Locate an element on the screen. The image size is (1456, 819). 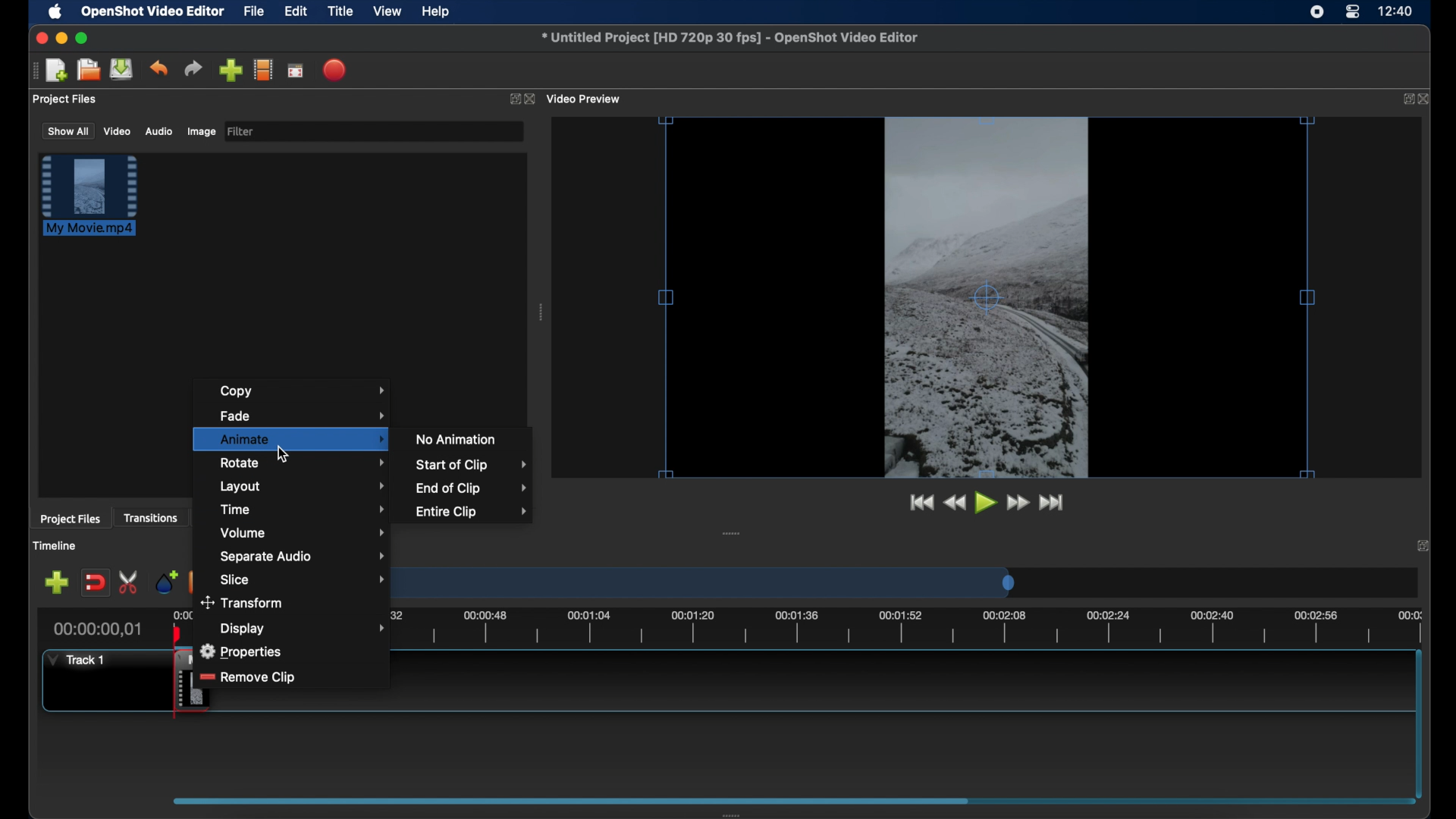
volume menu is located at coordinates (304, 532).